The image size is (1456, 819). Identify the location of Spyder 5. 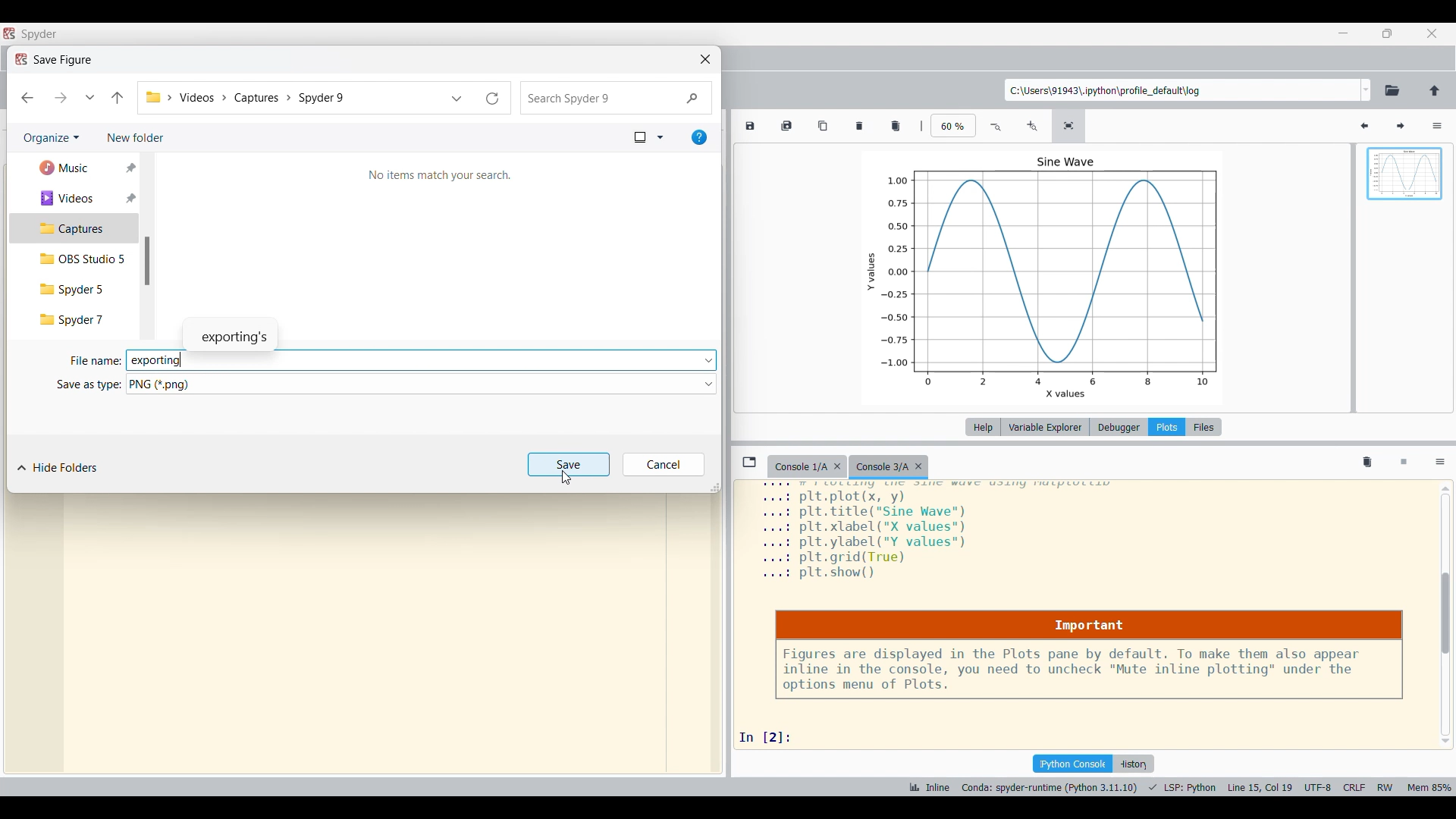
(72, 290).